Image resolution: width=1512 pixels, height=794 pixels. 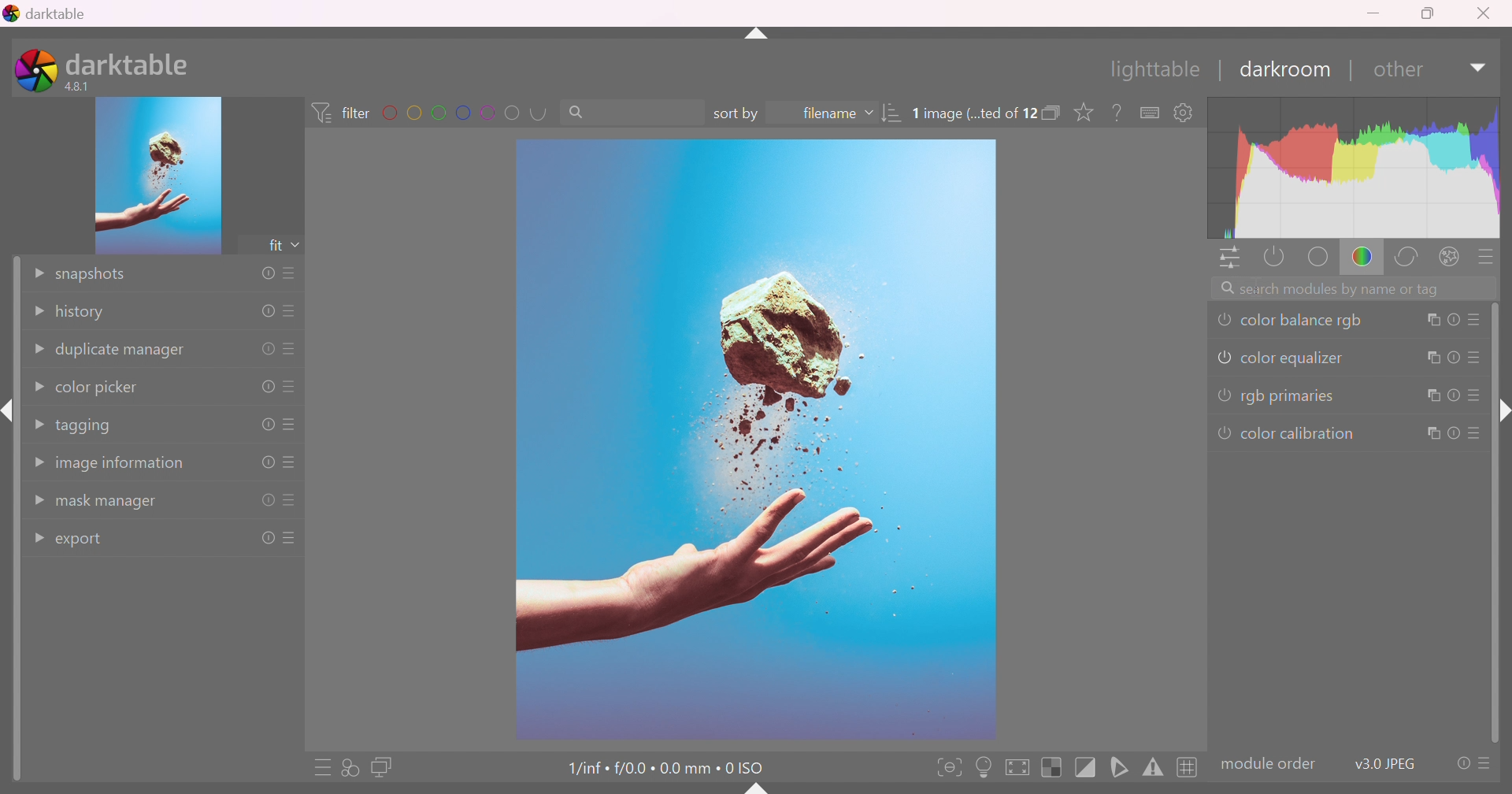 I want to click on , so click(x=870, y=112).